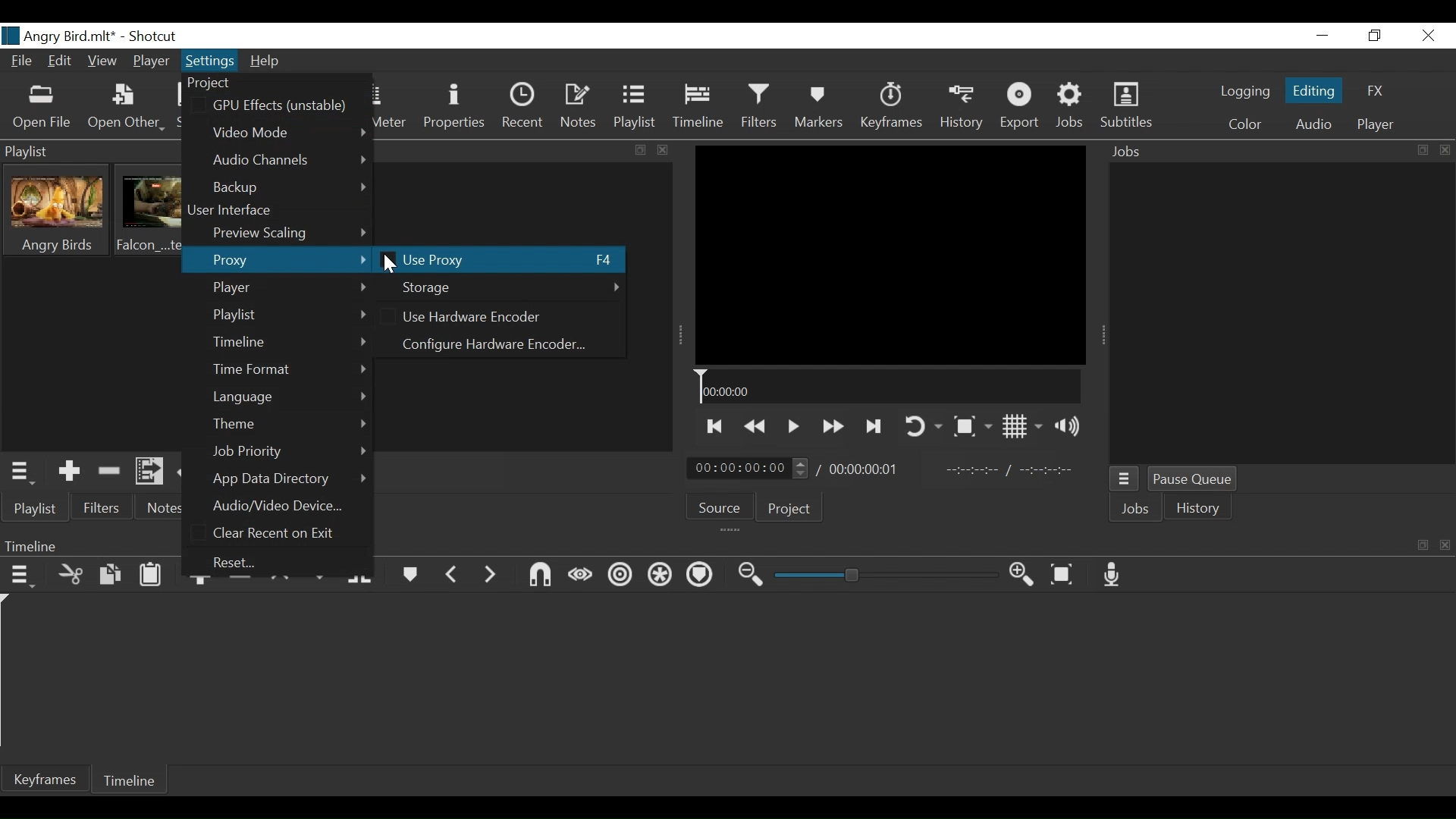  What do you see at coordinates (872, 428) in the screenshot?
I see `Skip to the next point` at bounding box center [872, 428].